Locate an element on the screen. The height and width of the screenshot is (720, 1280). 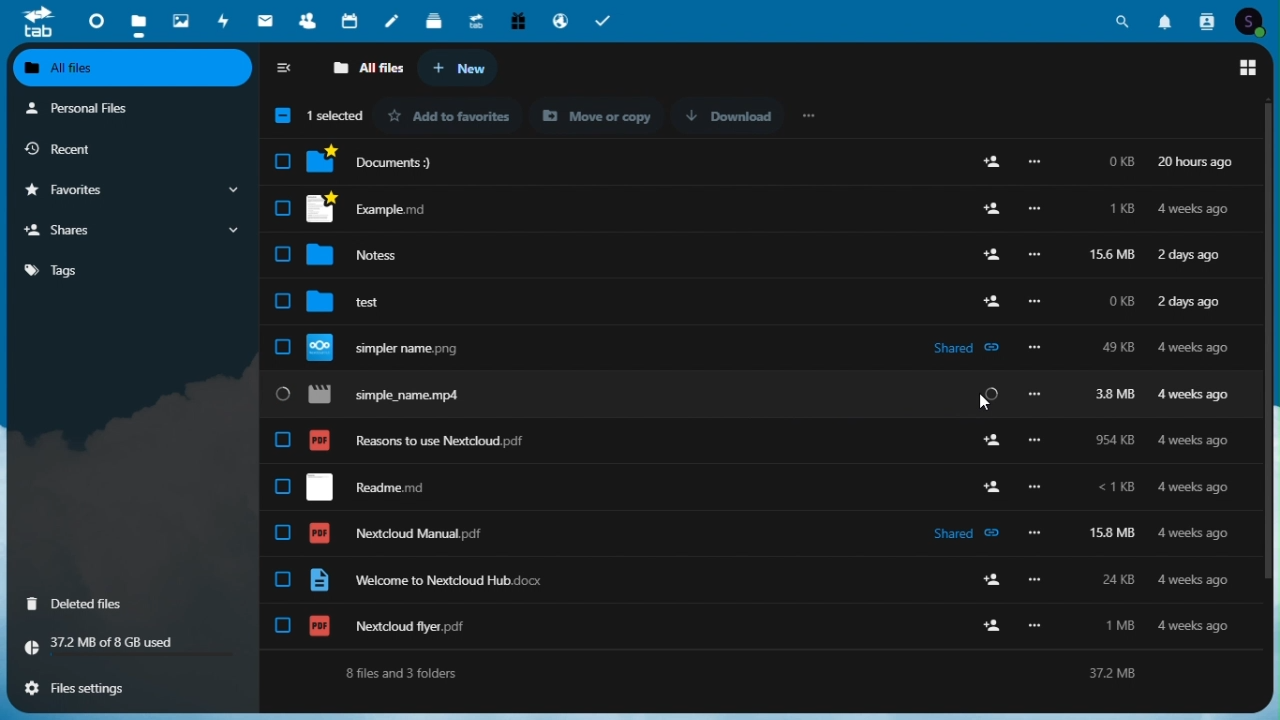
Activity is located at coordinates (225, 20).